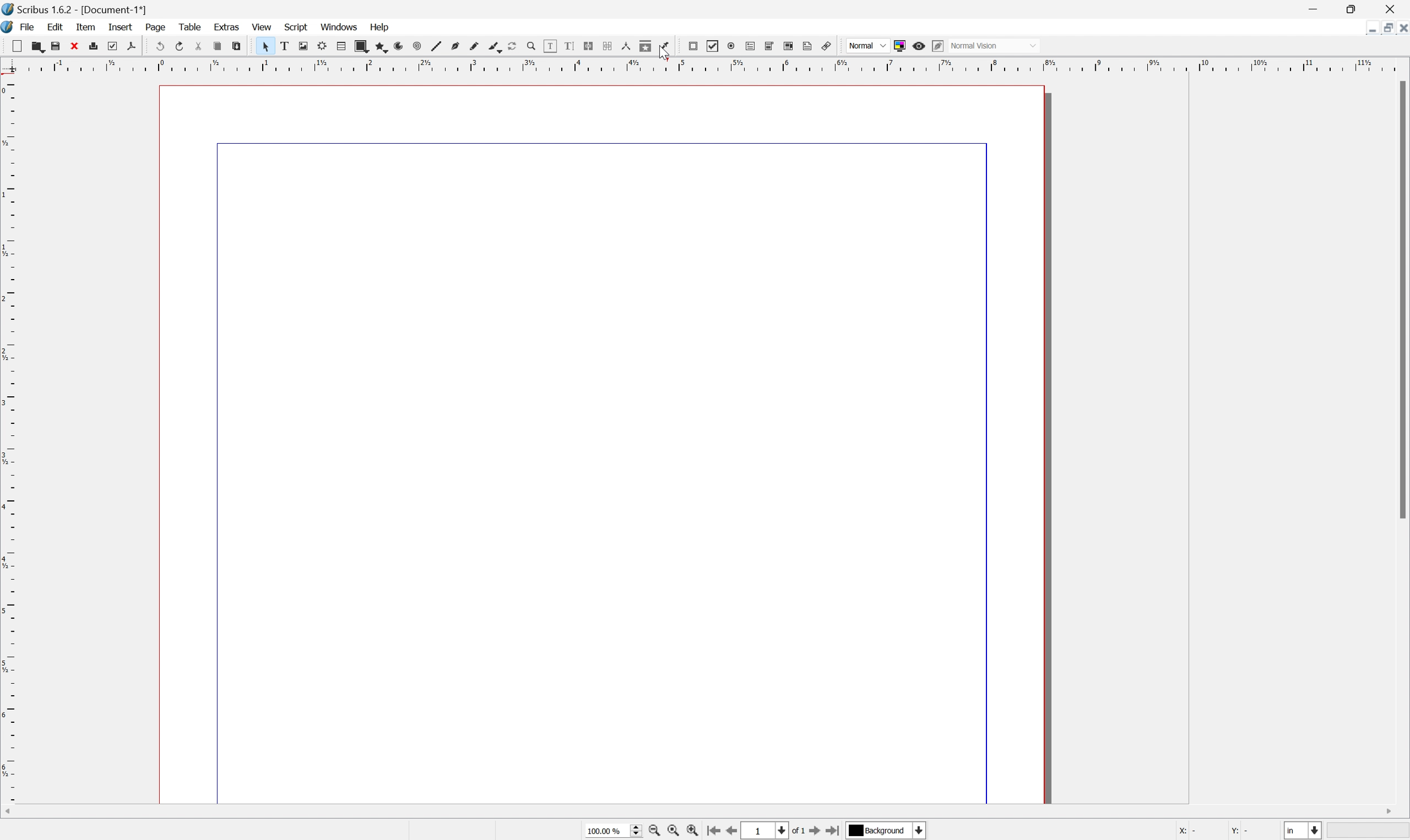 Image resolution: width=1410 pixels, height=840 pixels. I want to click on measurements, so click(626, 46).